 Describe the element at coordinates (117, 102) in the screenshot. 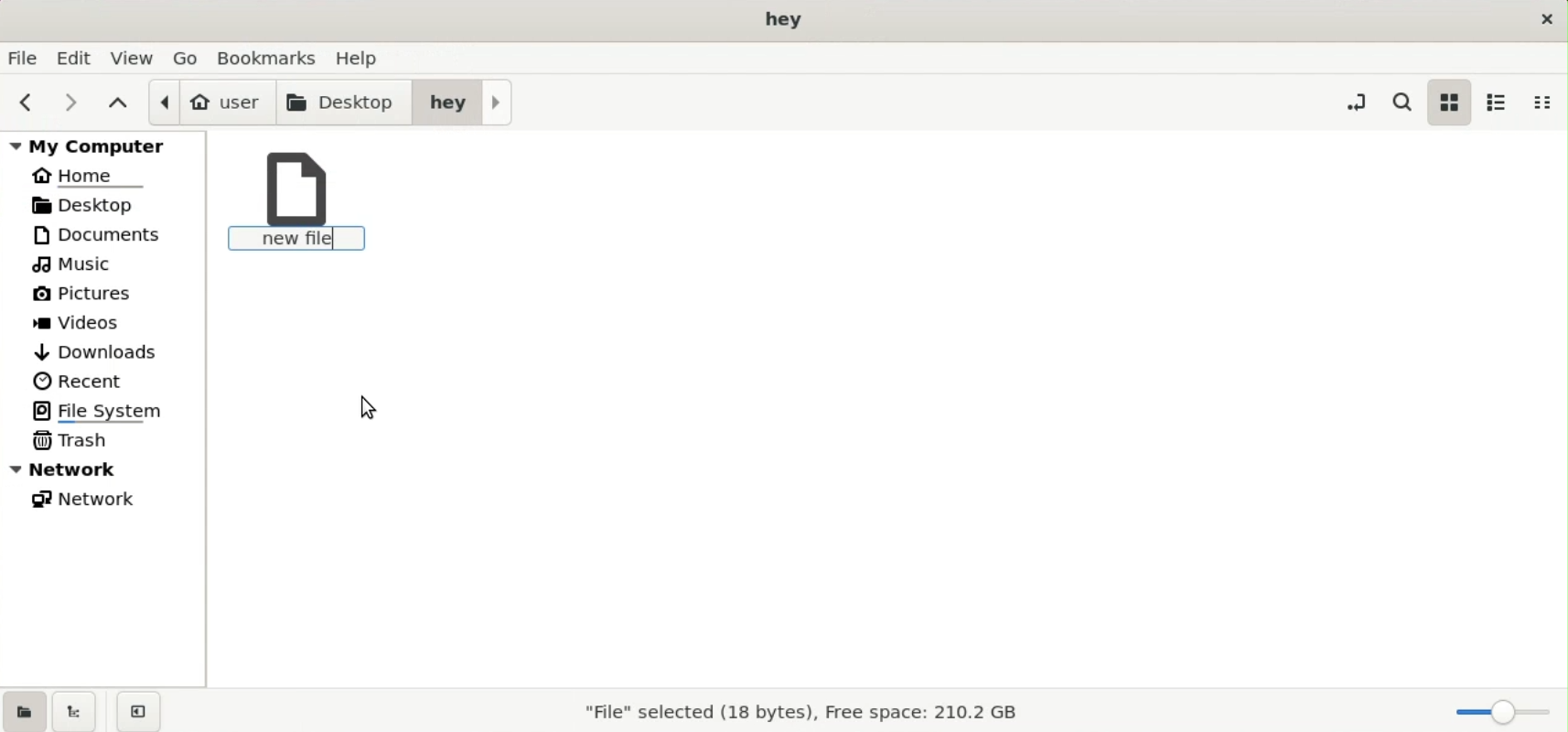

I see `parent folders` at that location.